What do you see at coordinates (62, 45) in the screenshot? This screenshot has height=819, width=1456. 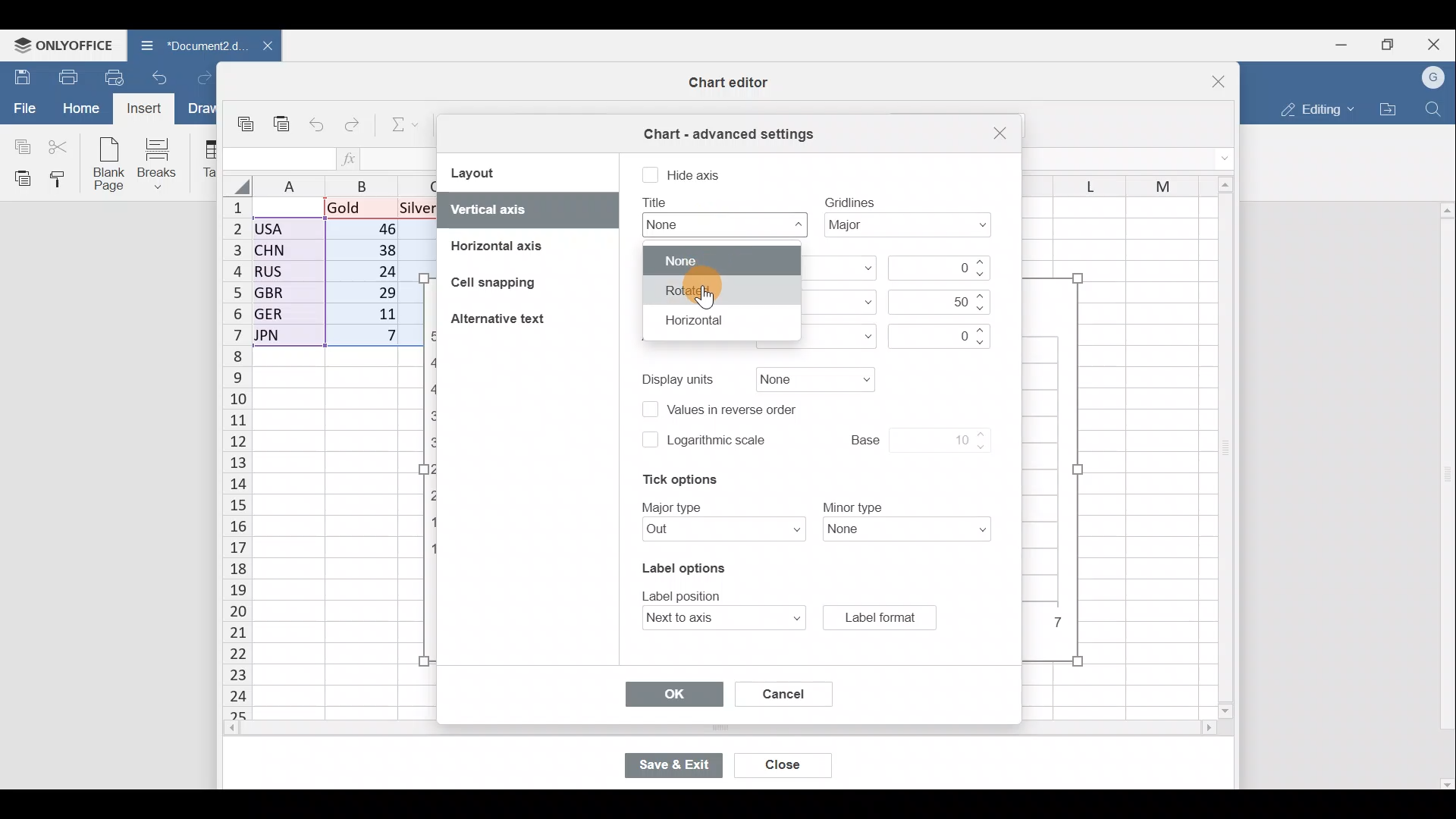 I see `ONLYOFFICE Menu` at bounding box center [62, 45].